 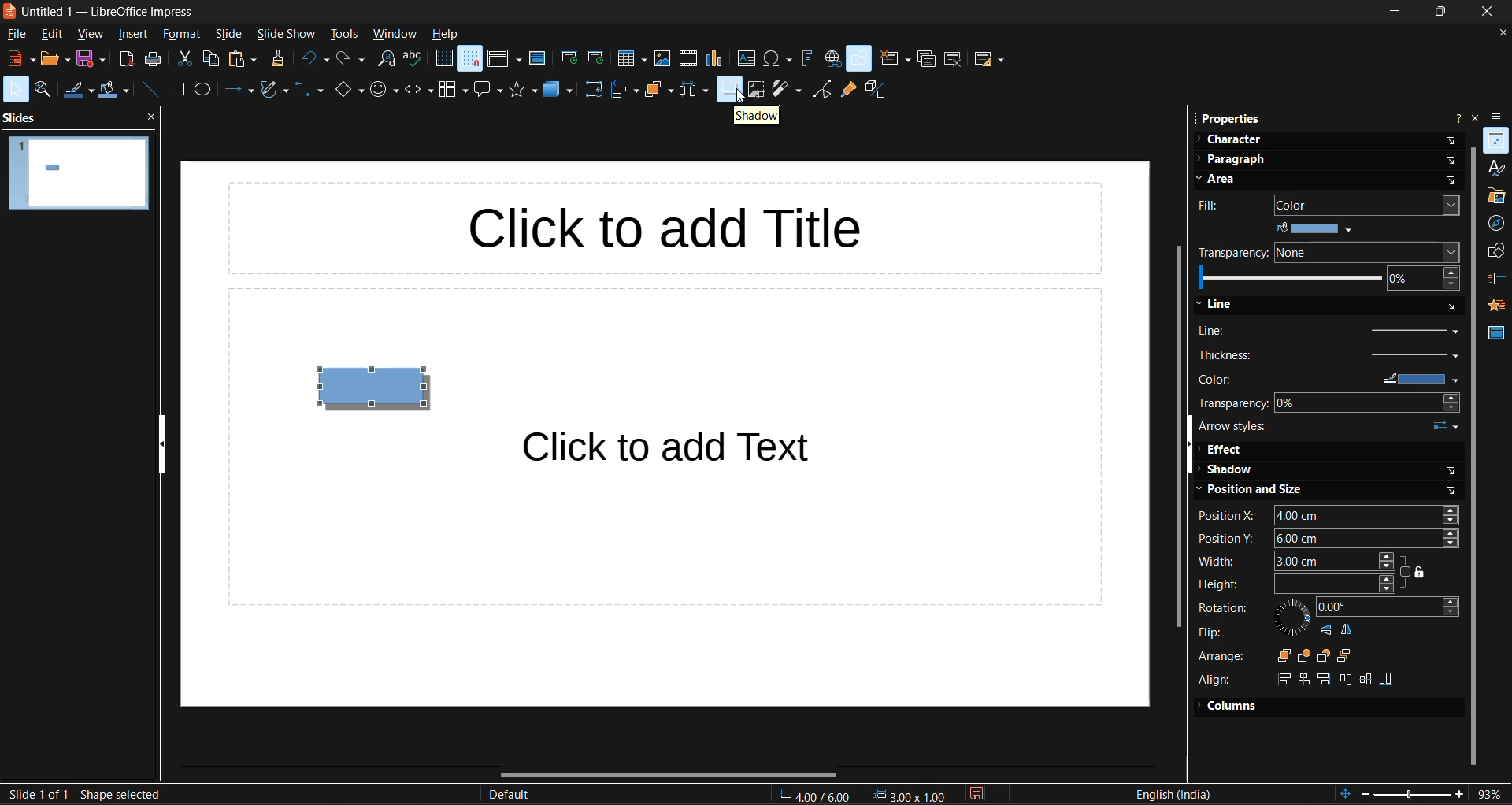 What do you see at coordinates (1461, 795) in the screenshot?
I see `zoom in` at bounding box center [1461, 795].